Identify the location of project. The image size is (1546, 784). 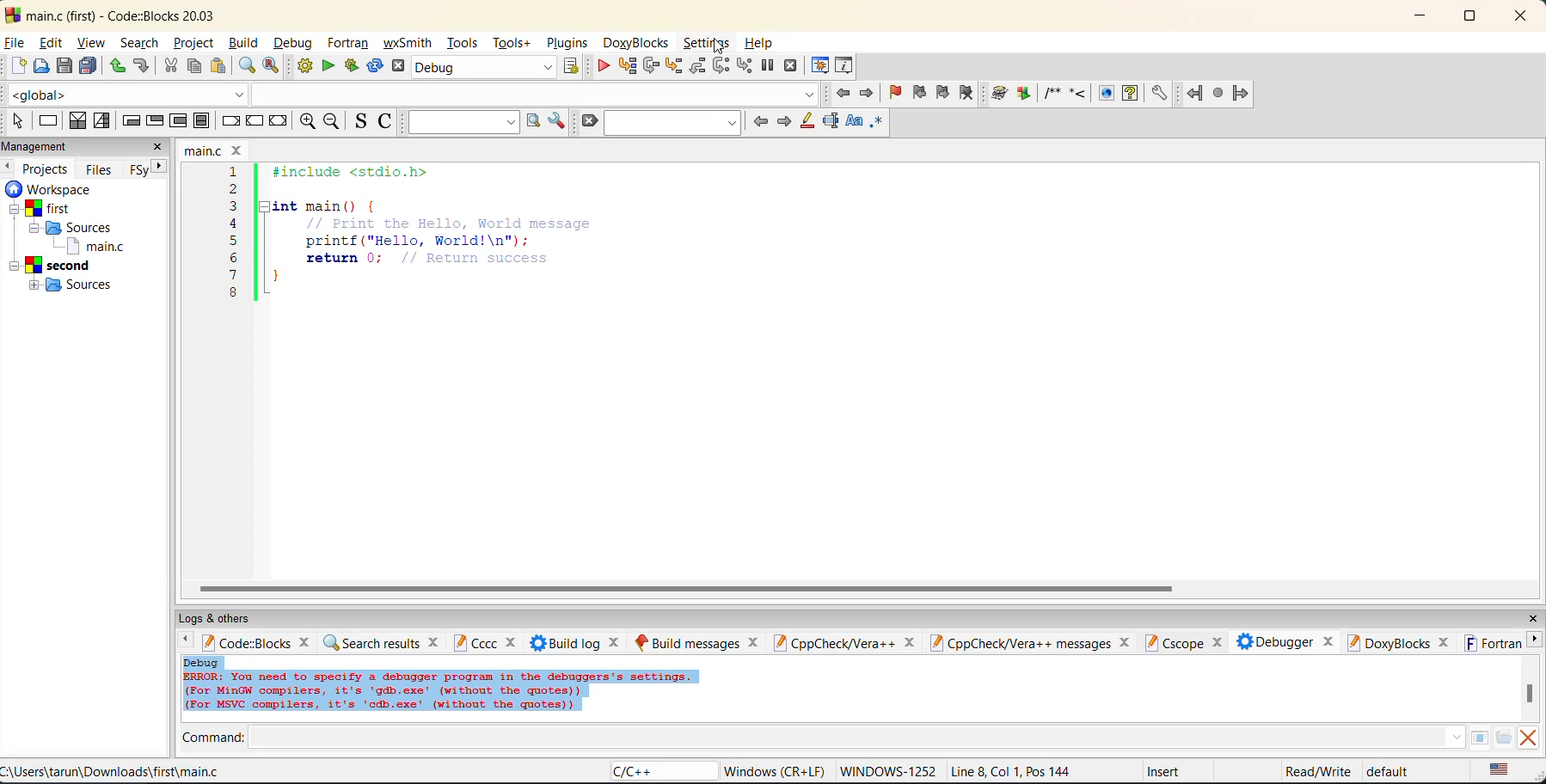
(194, 43).